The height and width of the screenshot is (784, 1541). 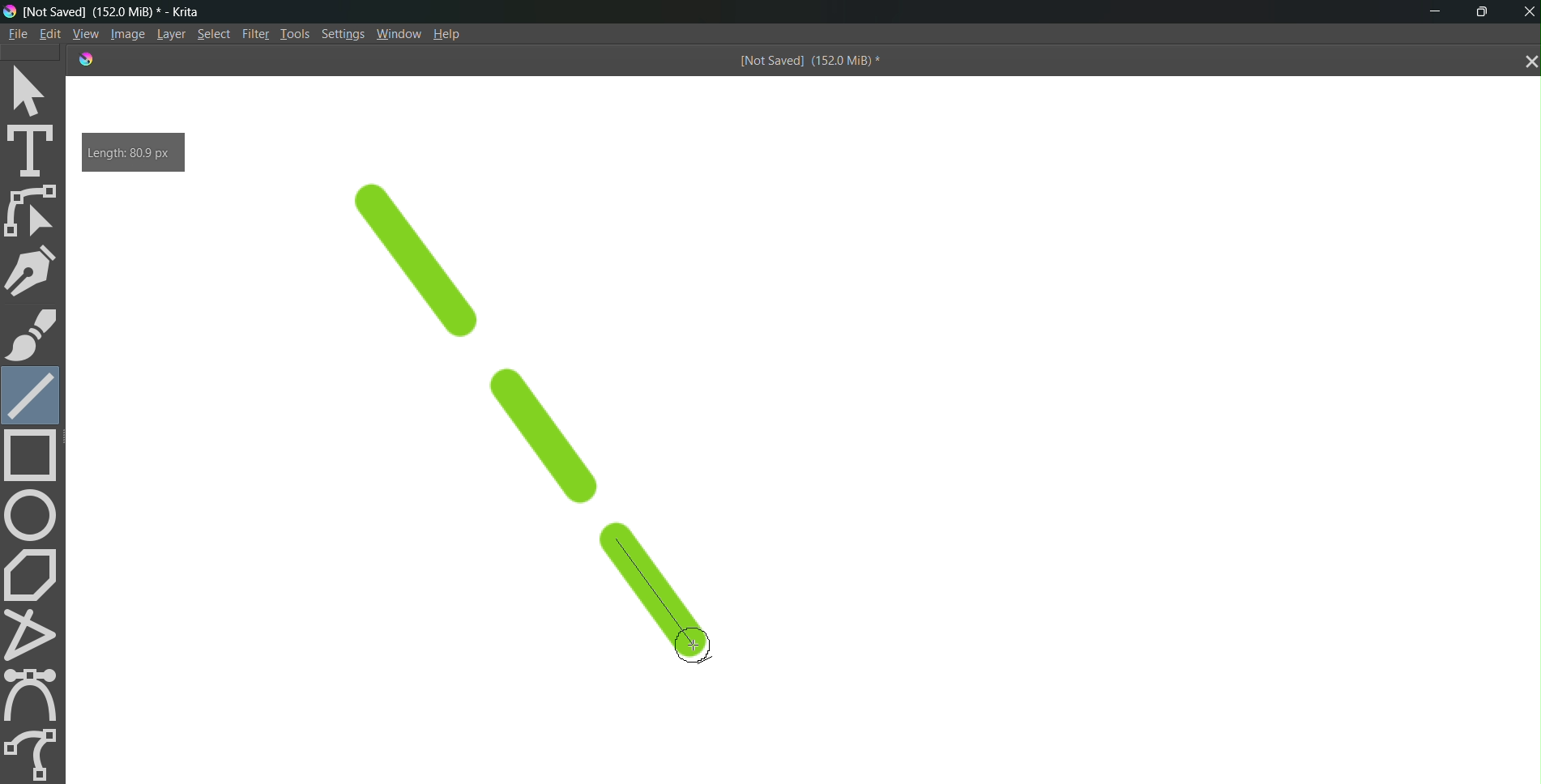 I want to click on line, so click(x=31, y=393).